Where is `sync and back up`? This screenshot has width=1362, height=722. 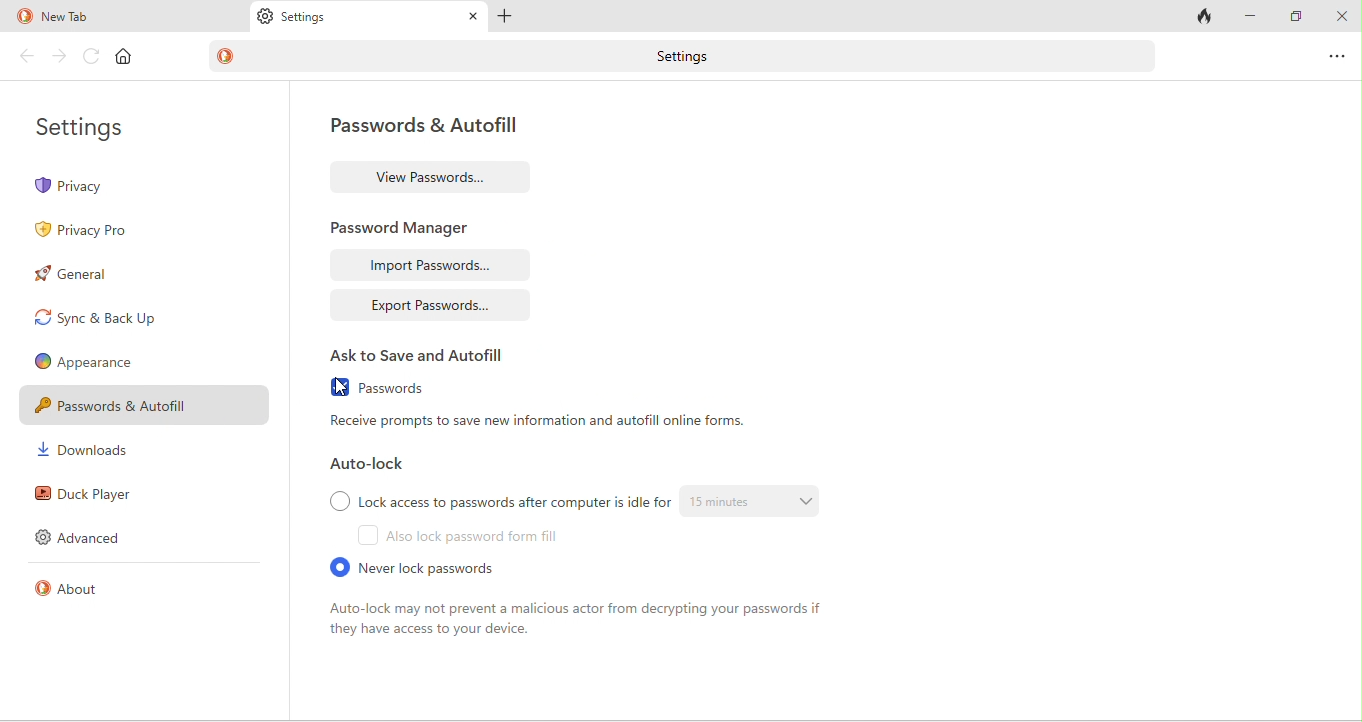
sync and back up is located at coordinates (109, 320).